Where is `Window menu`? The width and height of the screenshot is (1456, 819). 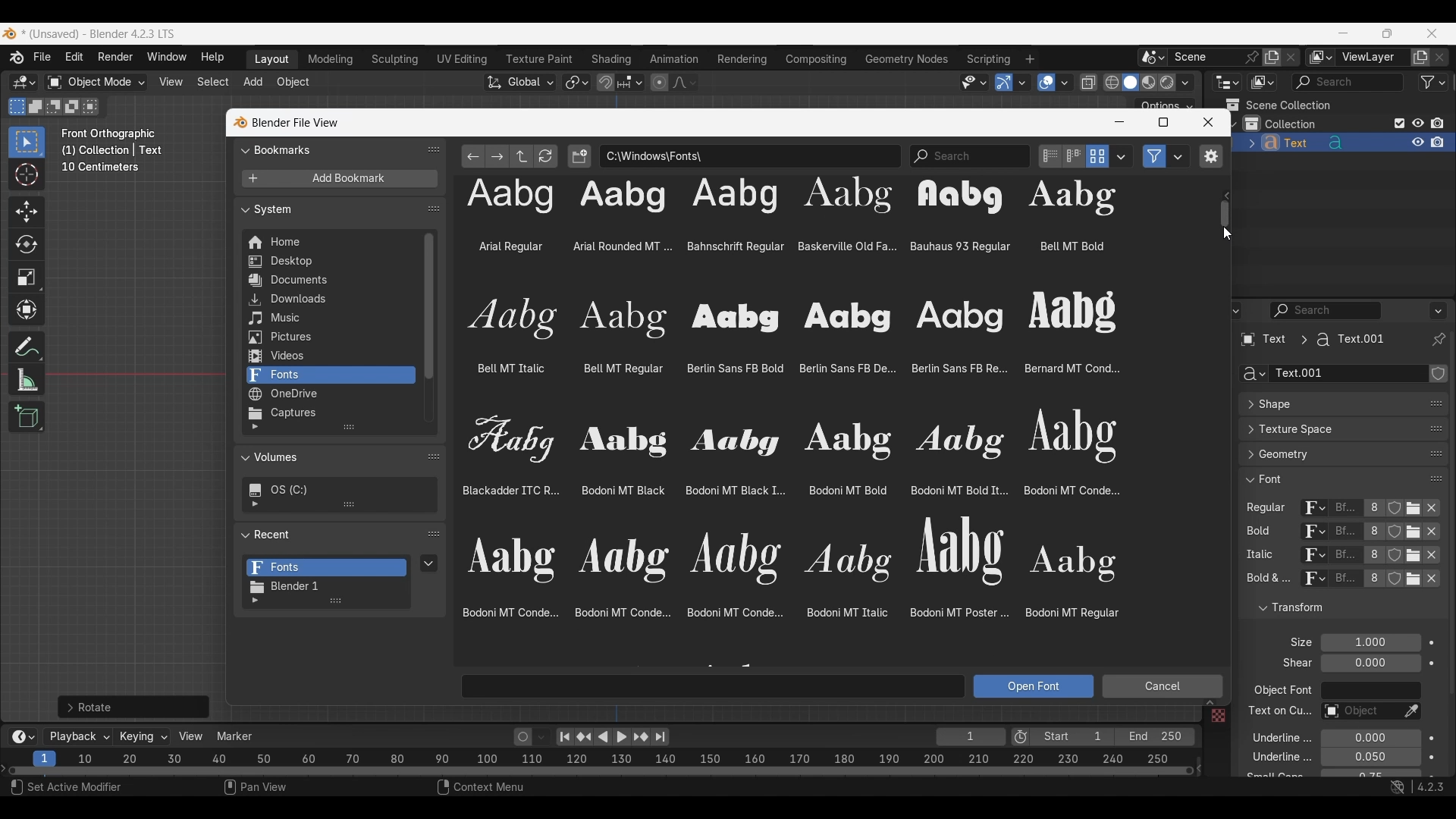
Window menu is located at coordinates (167, 58).